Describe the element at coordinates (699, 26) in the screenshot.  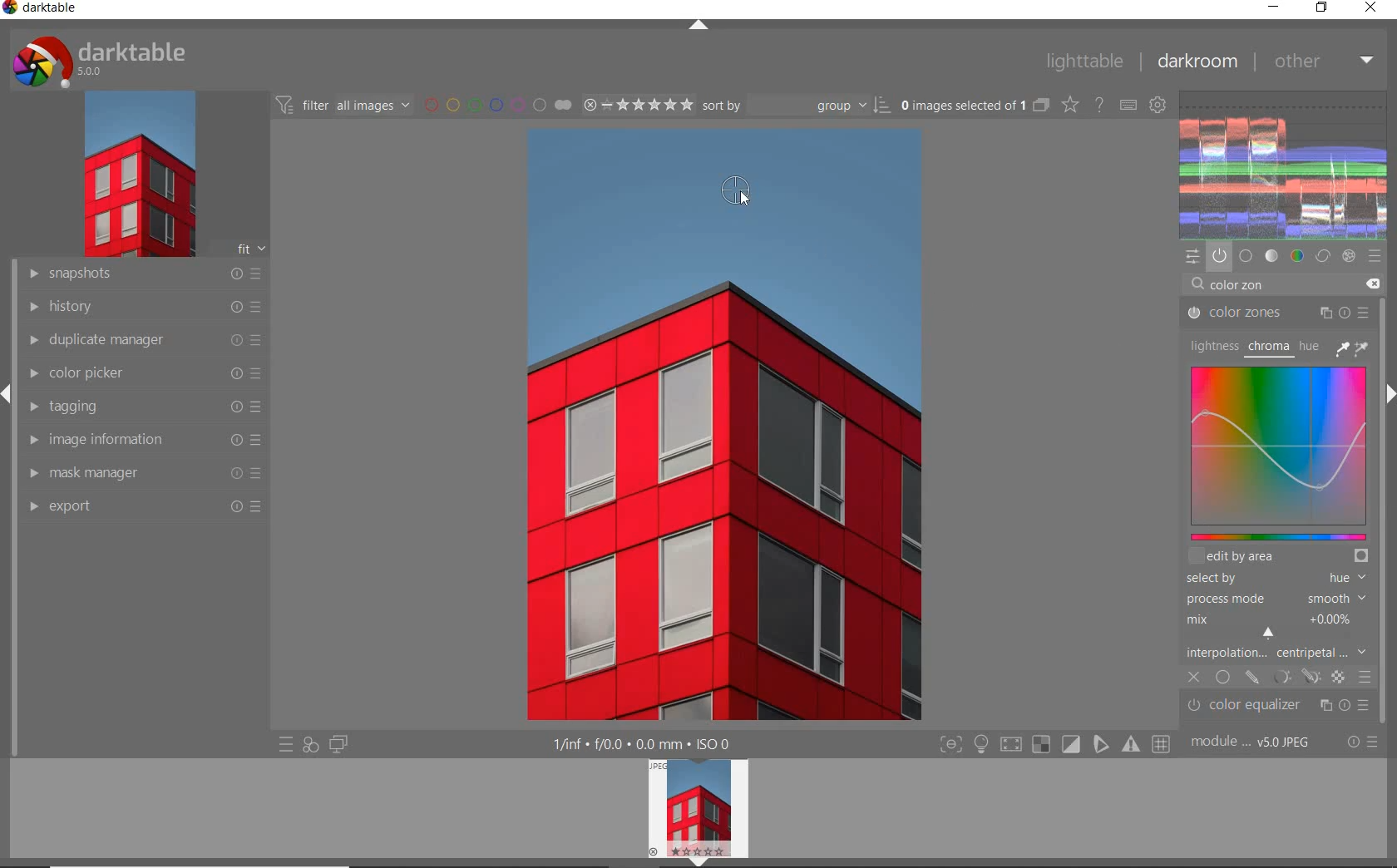
I see `expand/collapse` at that location.